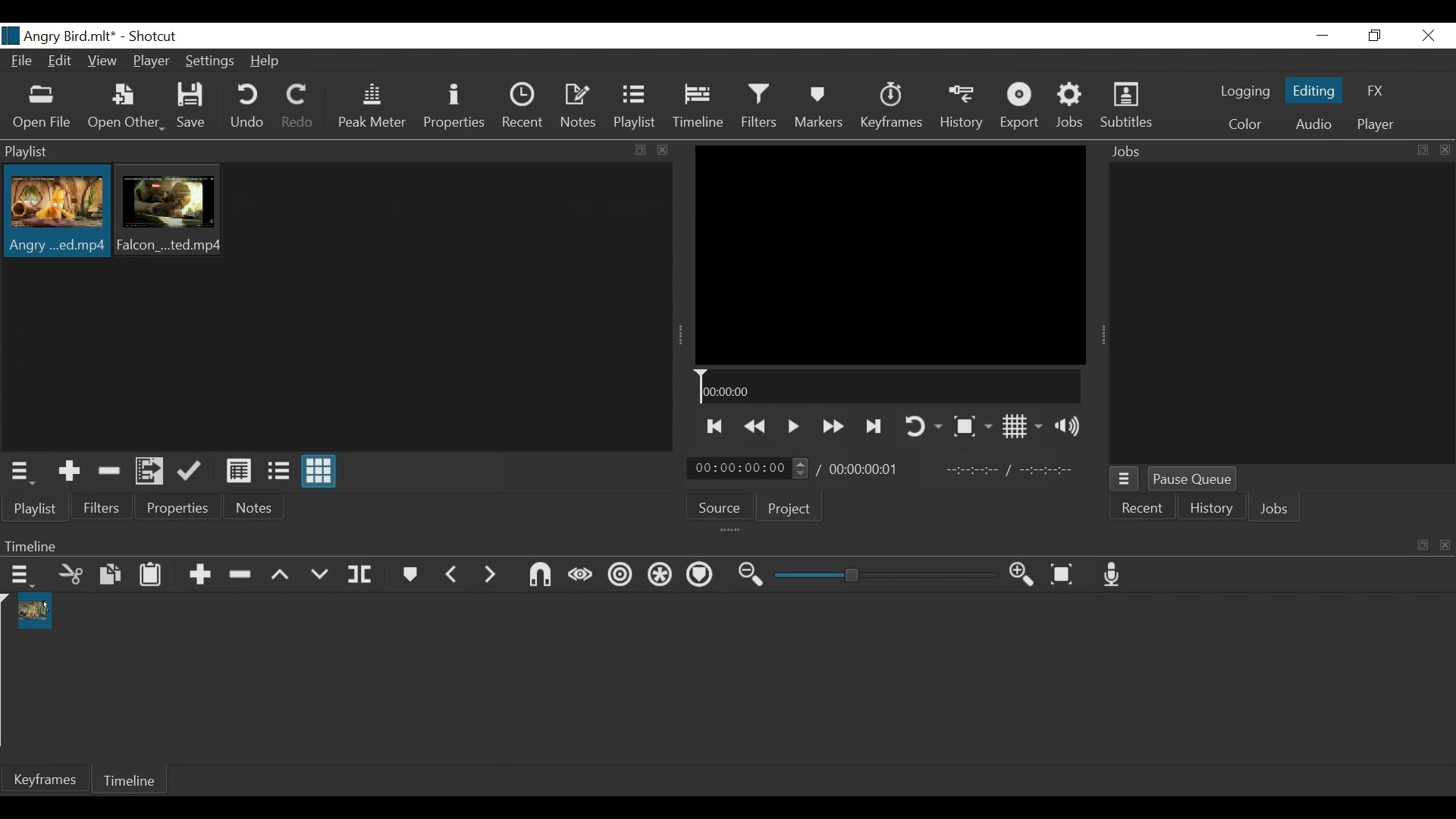  What do you see at coordinates (125, 109) in the screenshot?
I see `Open Other` at bounding box center [125, 109].